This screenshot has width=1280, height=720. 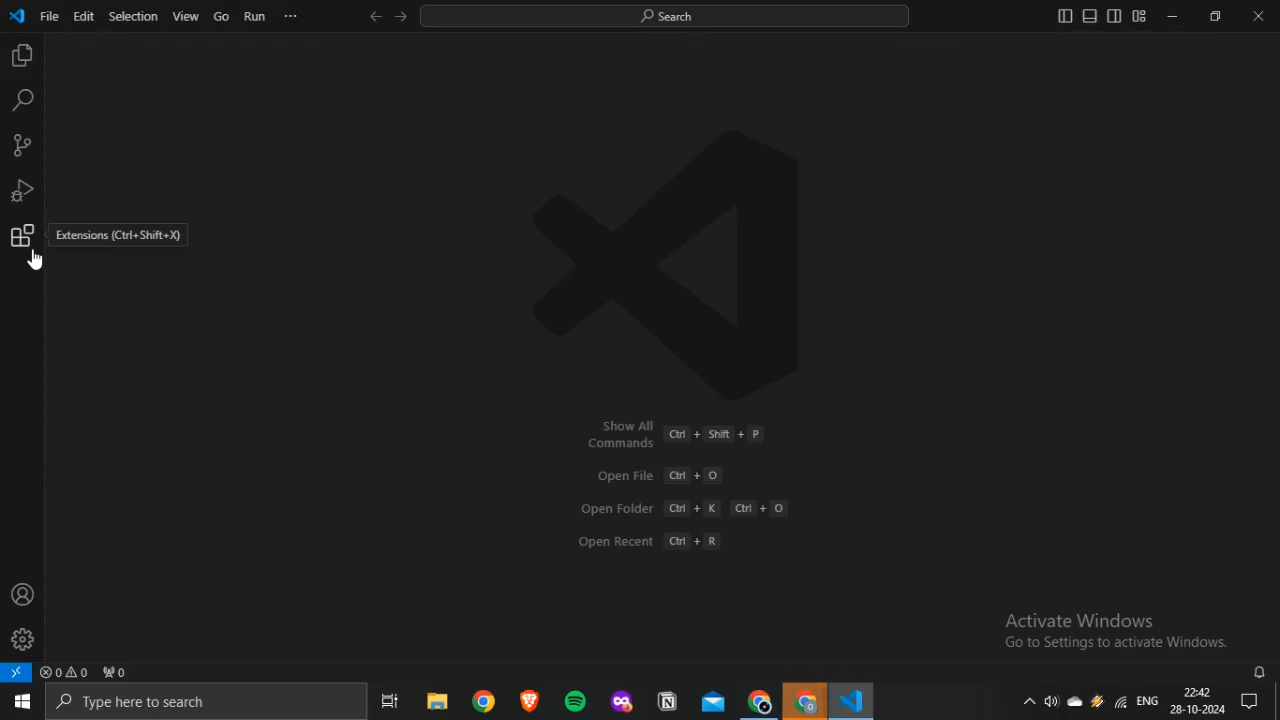 What do you see at coordinates (1139, 16) in the screenshot?
I see `customize layout` at bounding box center [1139, 16].